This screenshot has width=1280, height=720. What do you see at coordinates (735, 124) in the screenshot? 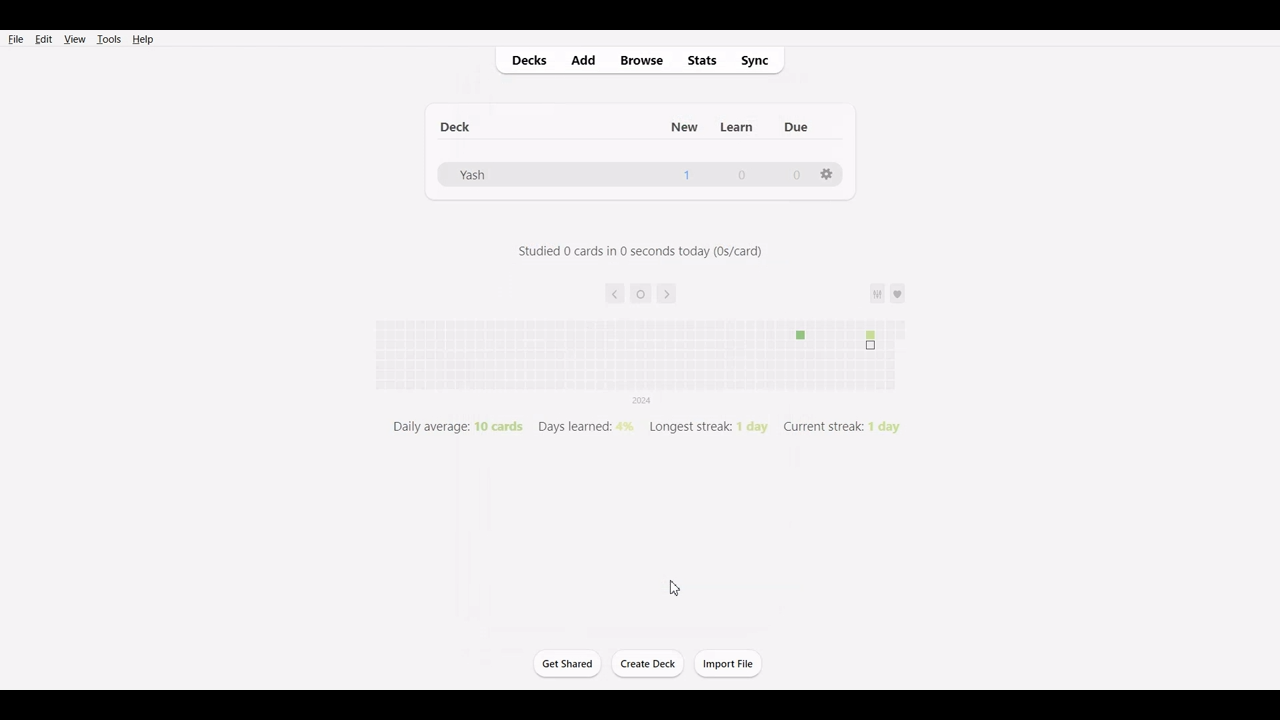
I see `Learn` at bounding box center [735, 124].